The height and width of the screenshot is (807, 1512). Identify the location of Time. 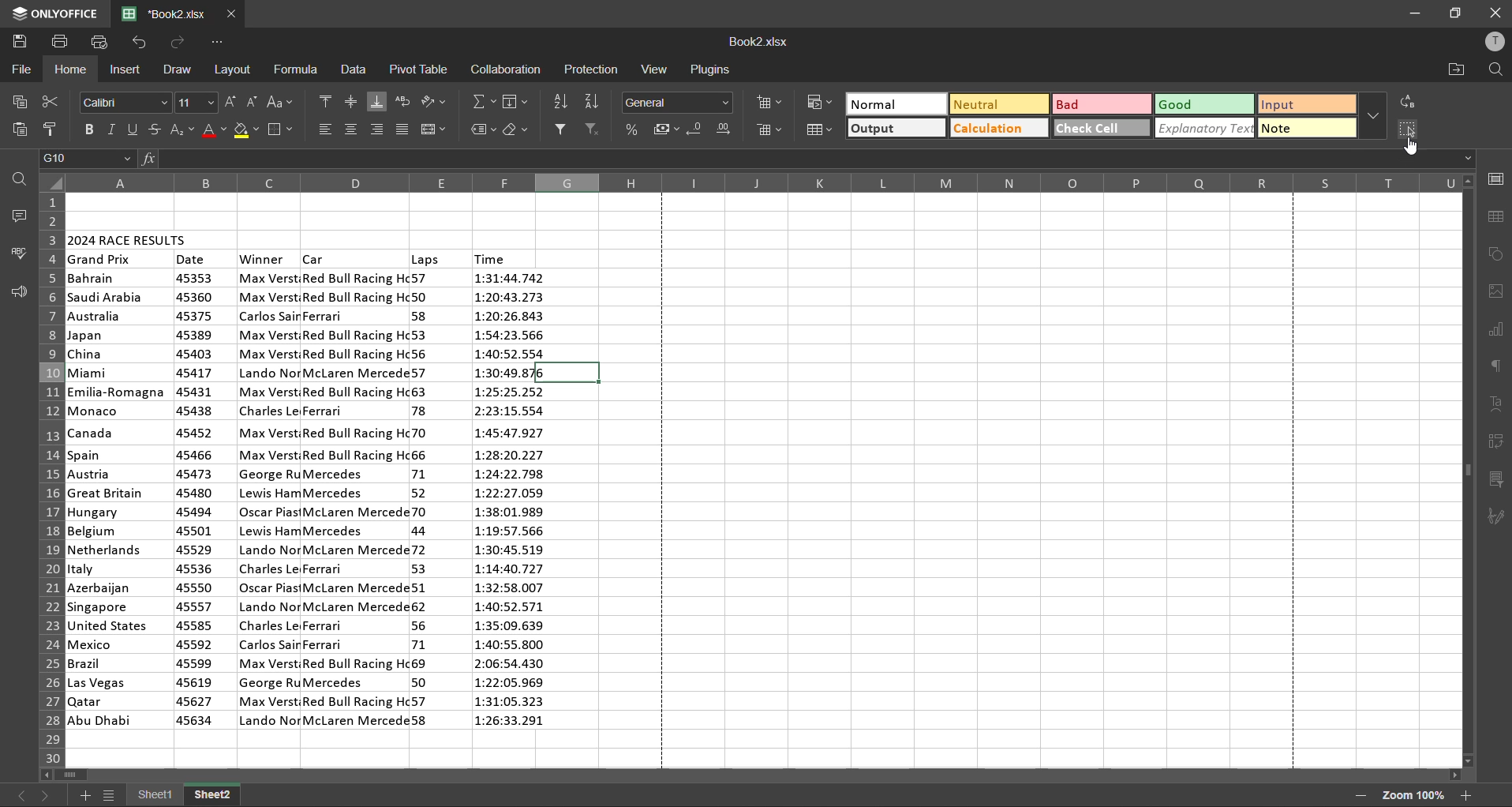
(510, 562).